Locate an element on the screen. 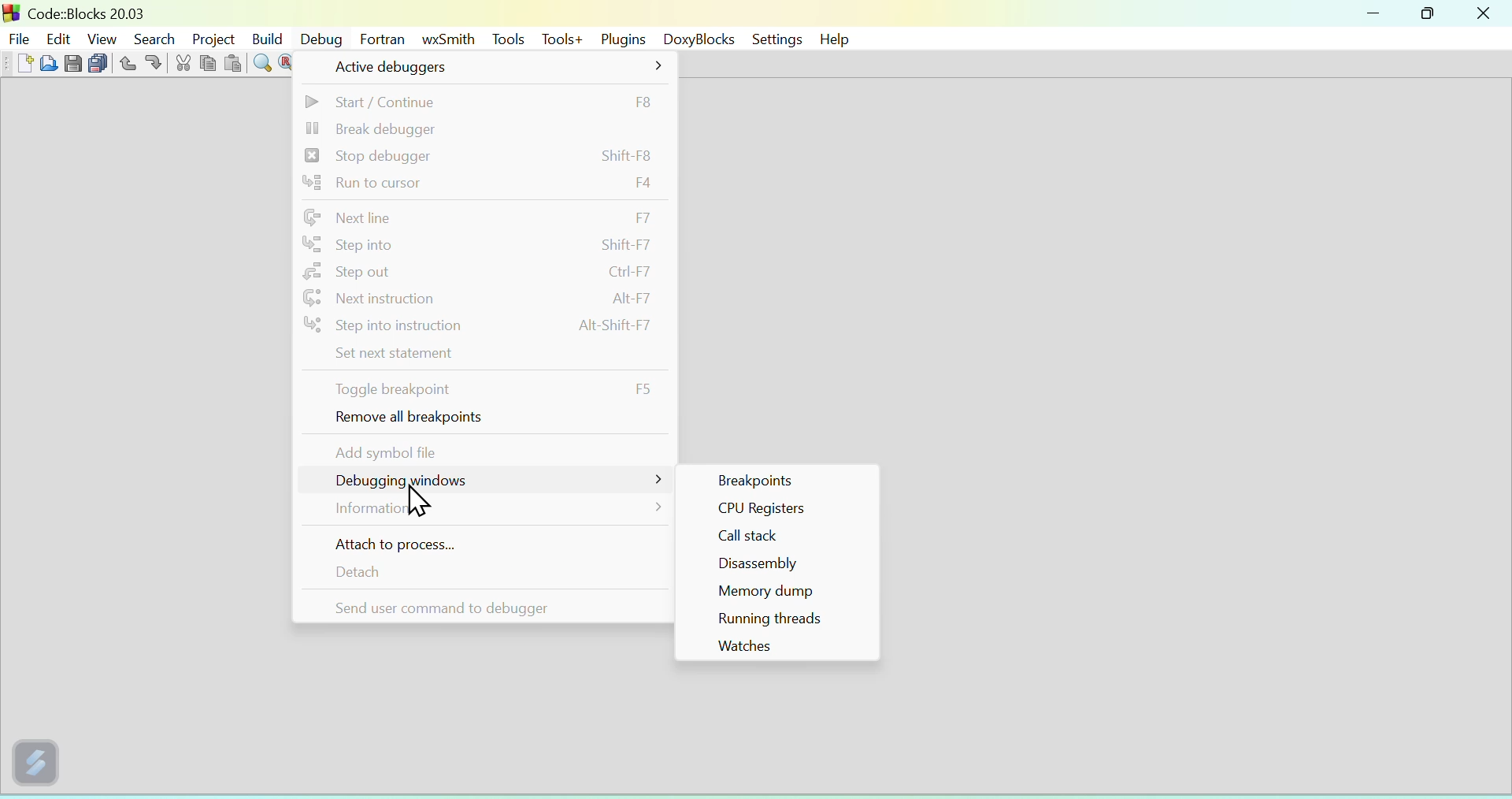  paste is located at coordinates (232, 65).